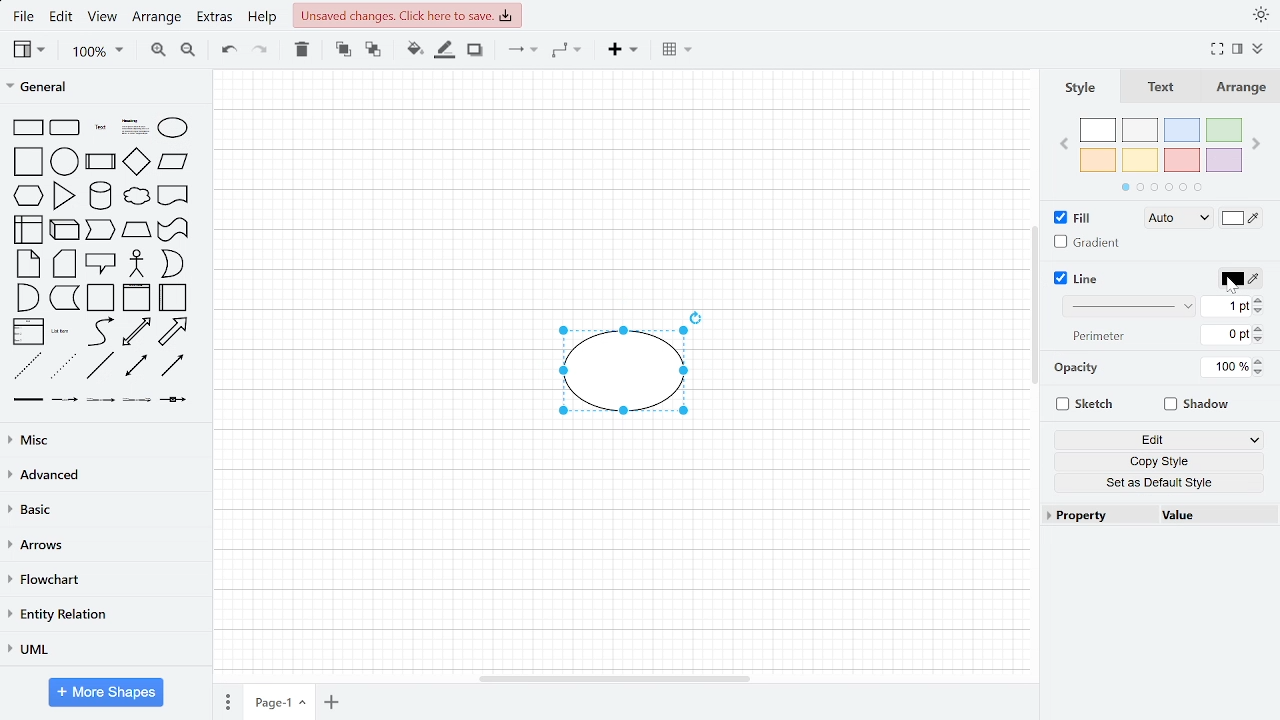  I want to click on view, so click(106, 19).